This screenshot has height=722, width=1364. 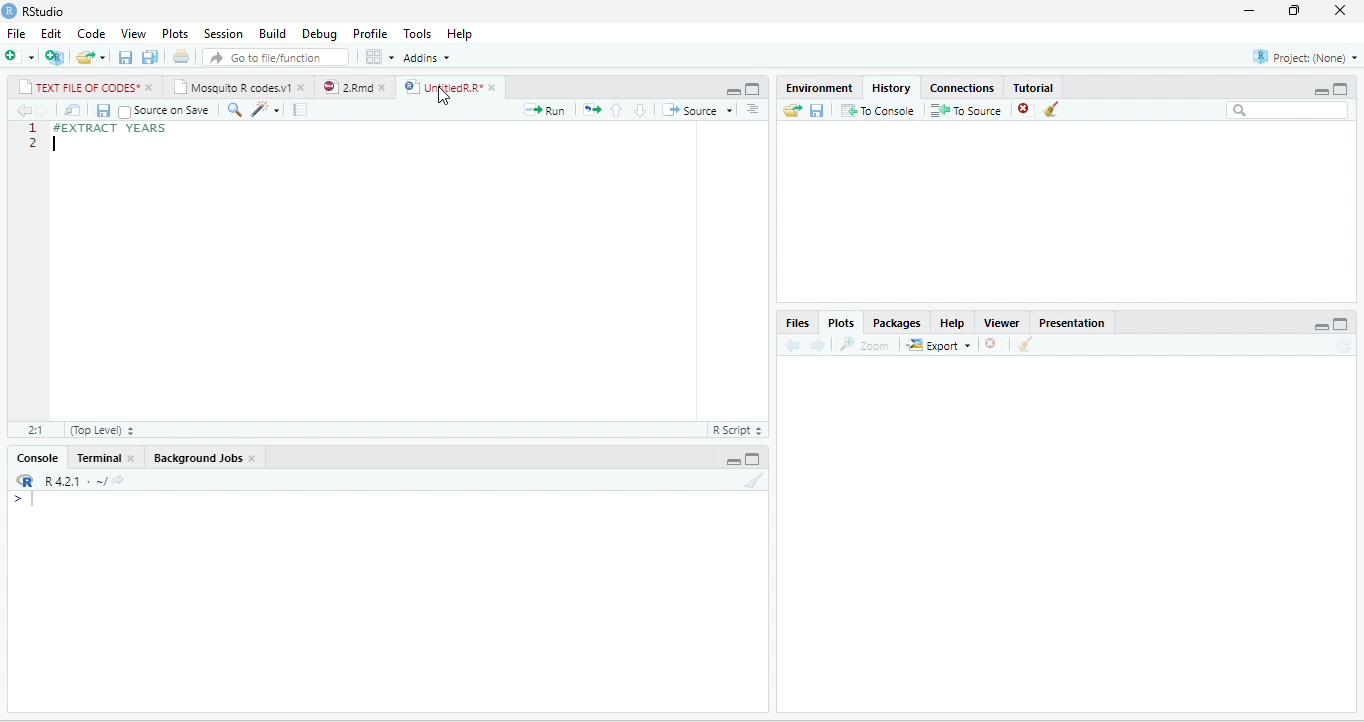 What do you see at coordinates (92, 57) in the screenshot?
I see `open file` at bounding box center [92, 57].